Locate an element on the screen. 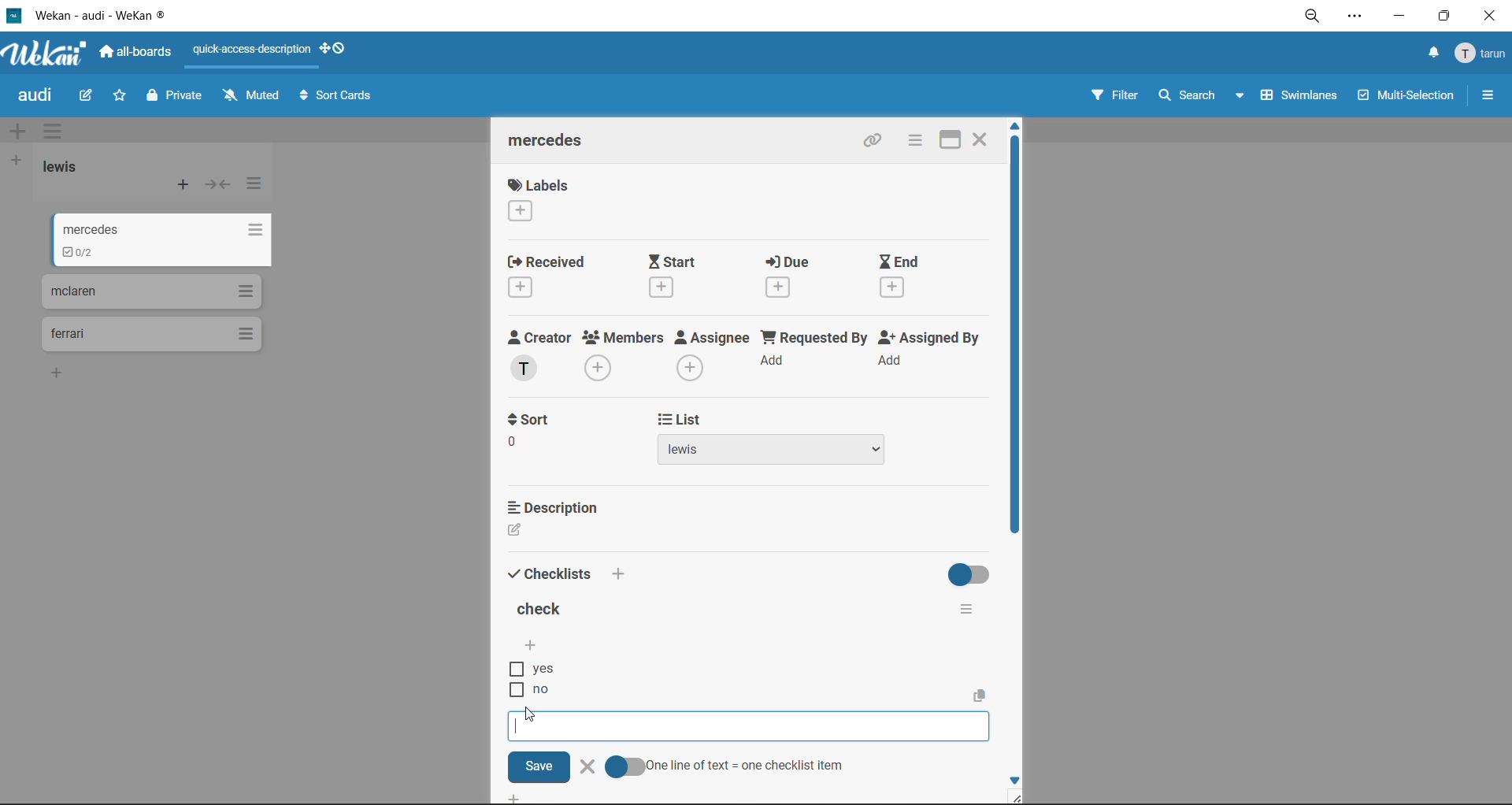 The image size is (1512, 805). muted is located at coordinates (250, 95).